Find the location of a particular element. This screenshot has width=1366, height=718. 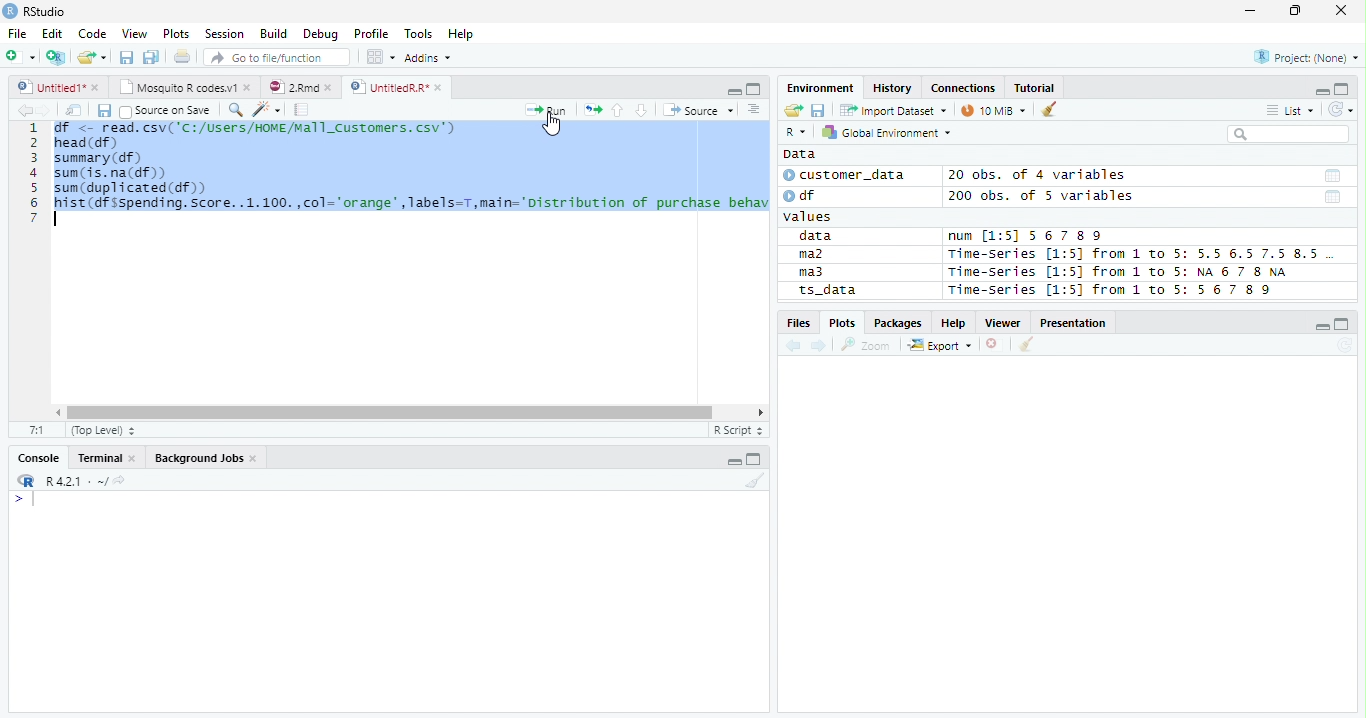

Tools is located at coordinates (422, 32).